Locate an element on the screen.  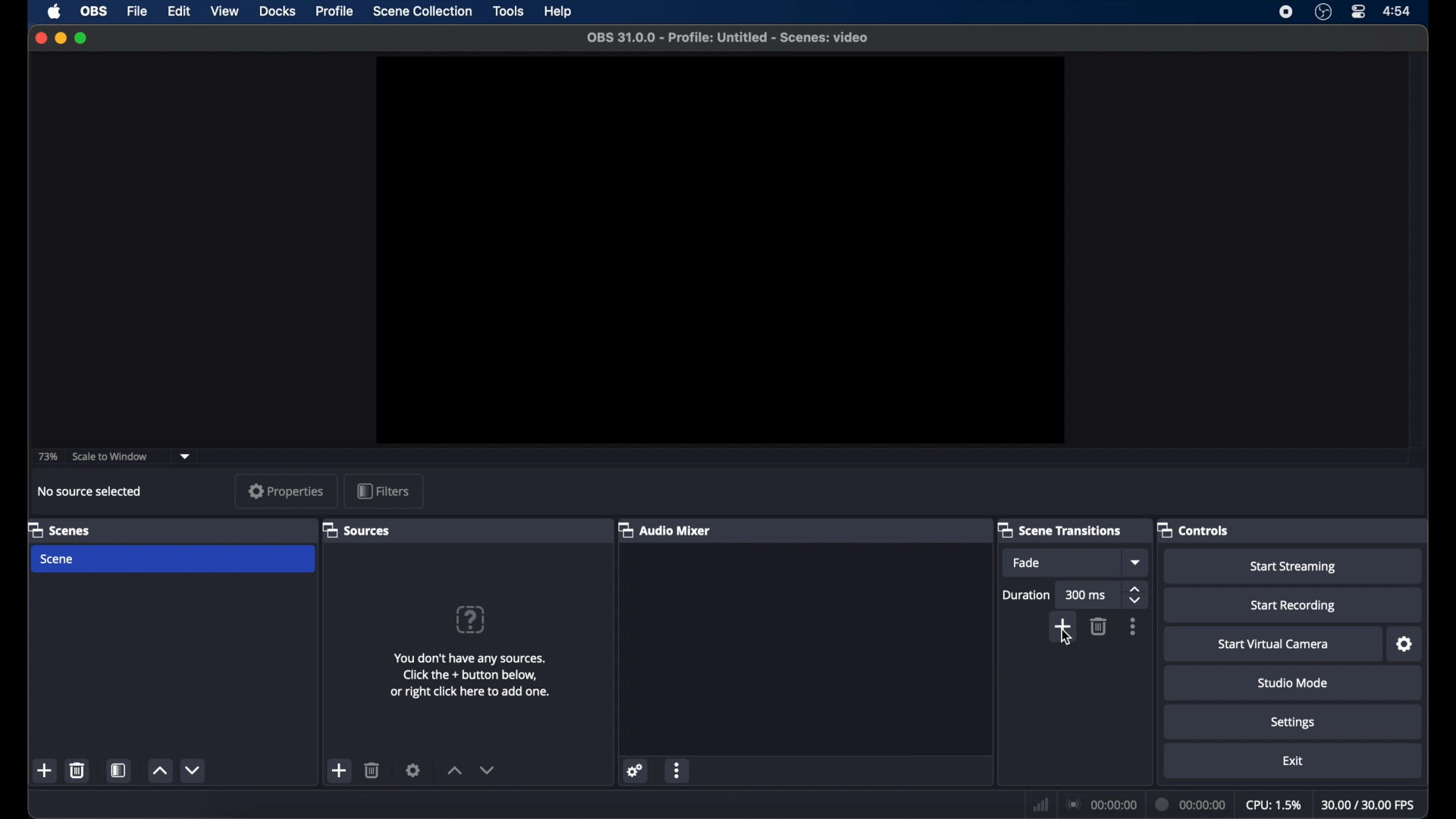
add is located at coordinates (44, 770).